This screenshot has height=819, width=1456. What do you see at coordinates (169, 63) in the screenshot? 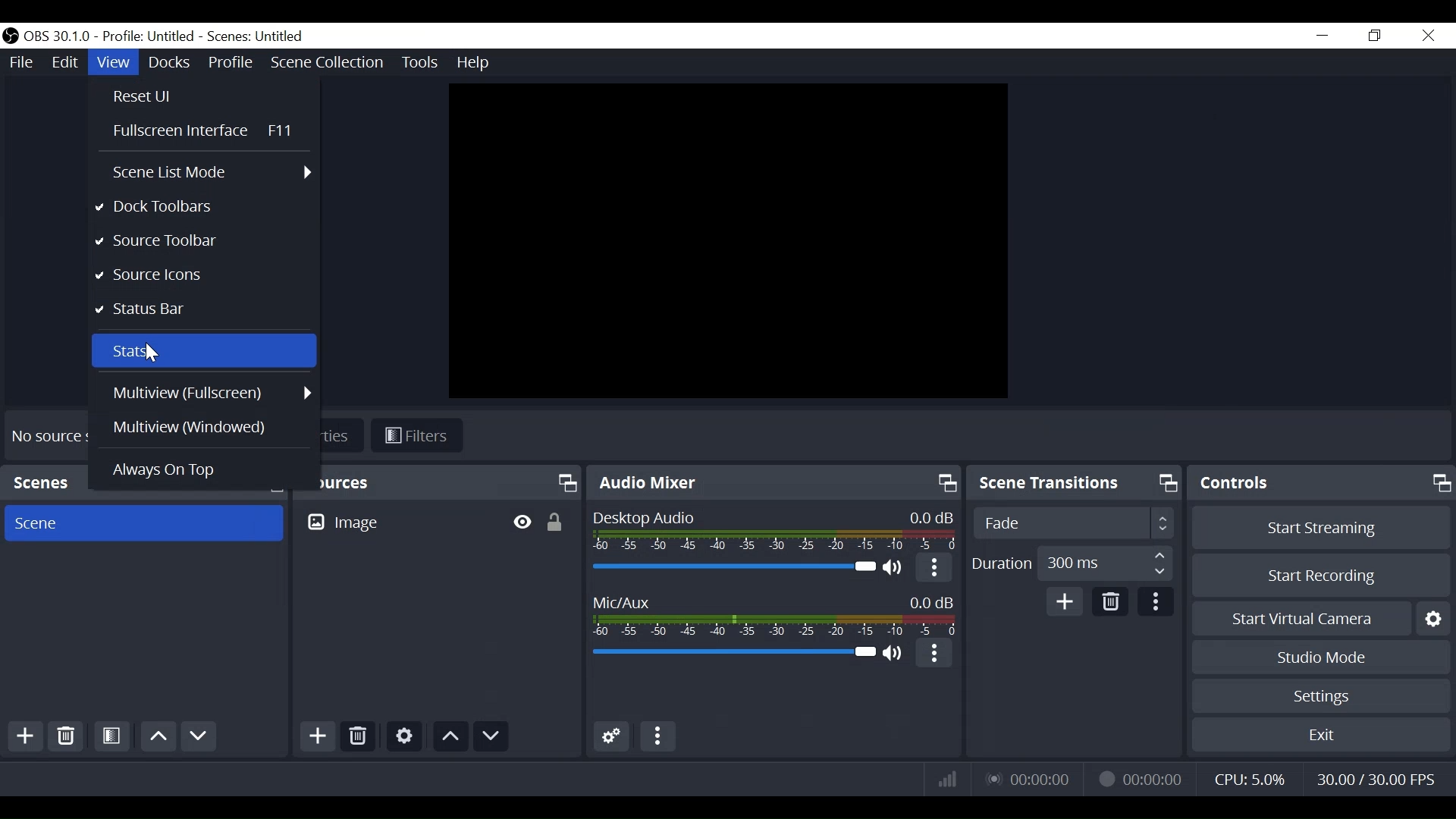
I see `Docks` at bounding box center [169, 63].